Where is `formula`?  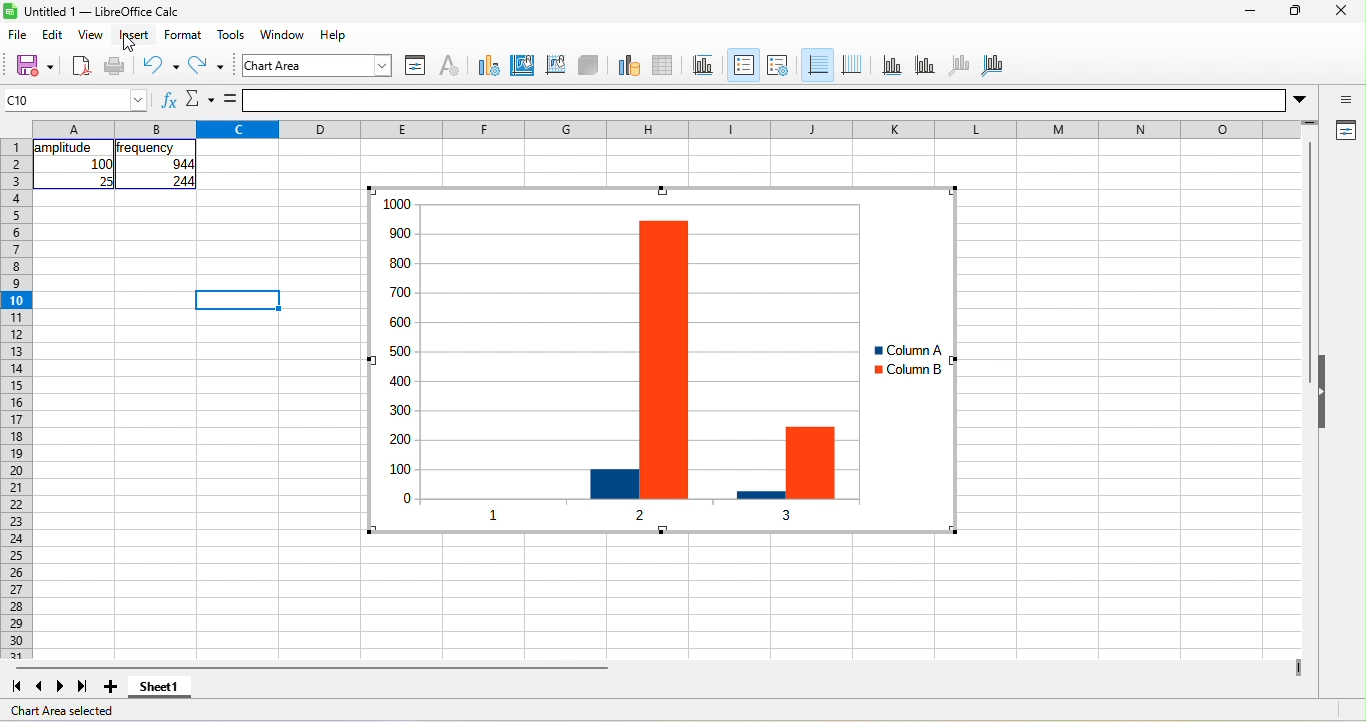
formula is located at coordinates (231, 100).